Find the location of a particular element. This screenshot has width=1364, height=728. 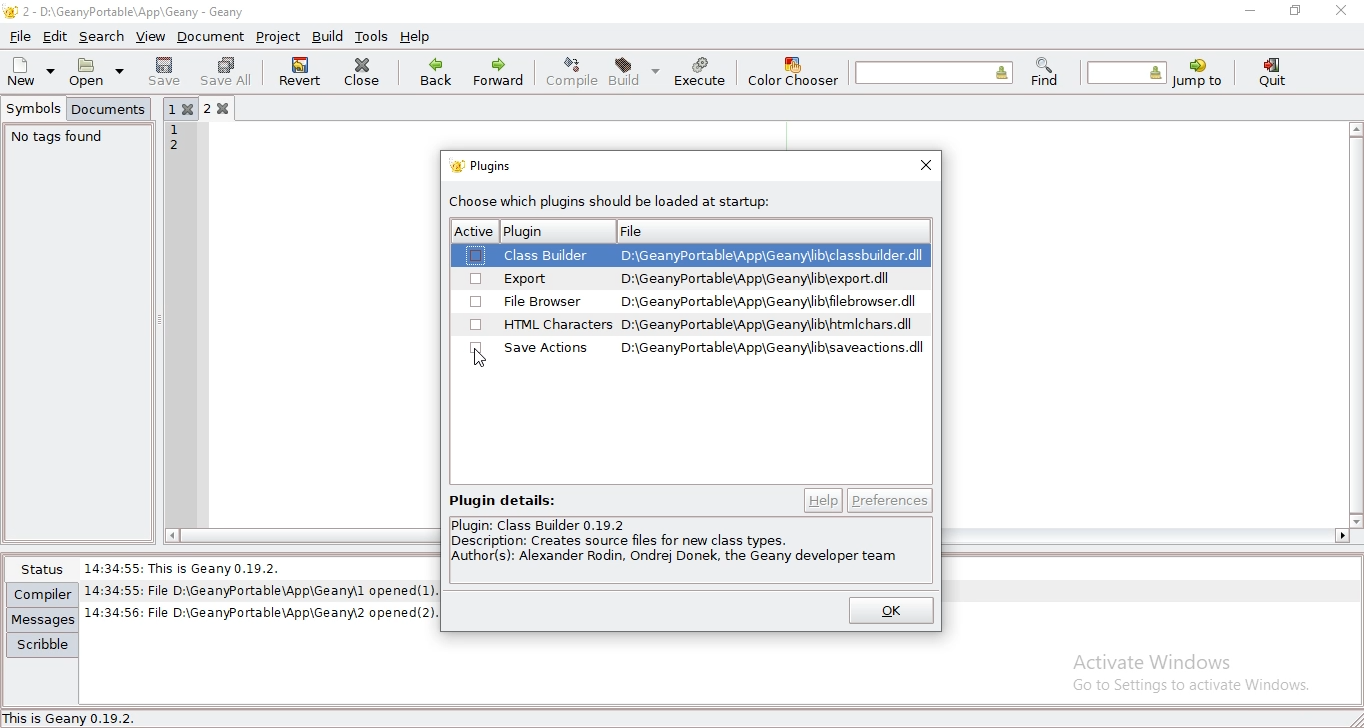

edit is located at coordinates (57, 35).